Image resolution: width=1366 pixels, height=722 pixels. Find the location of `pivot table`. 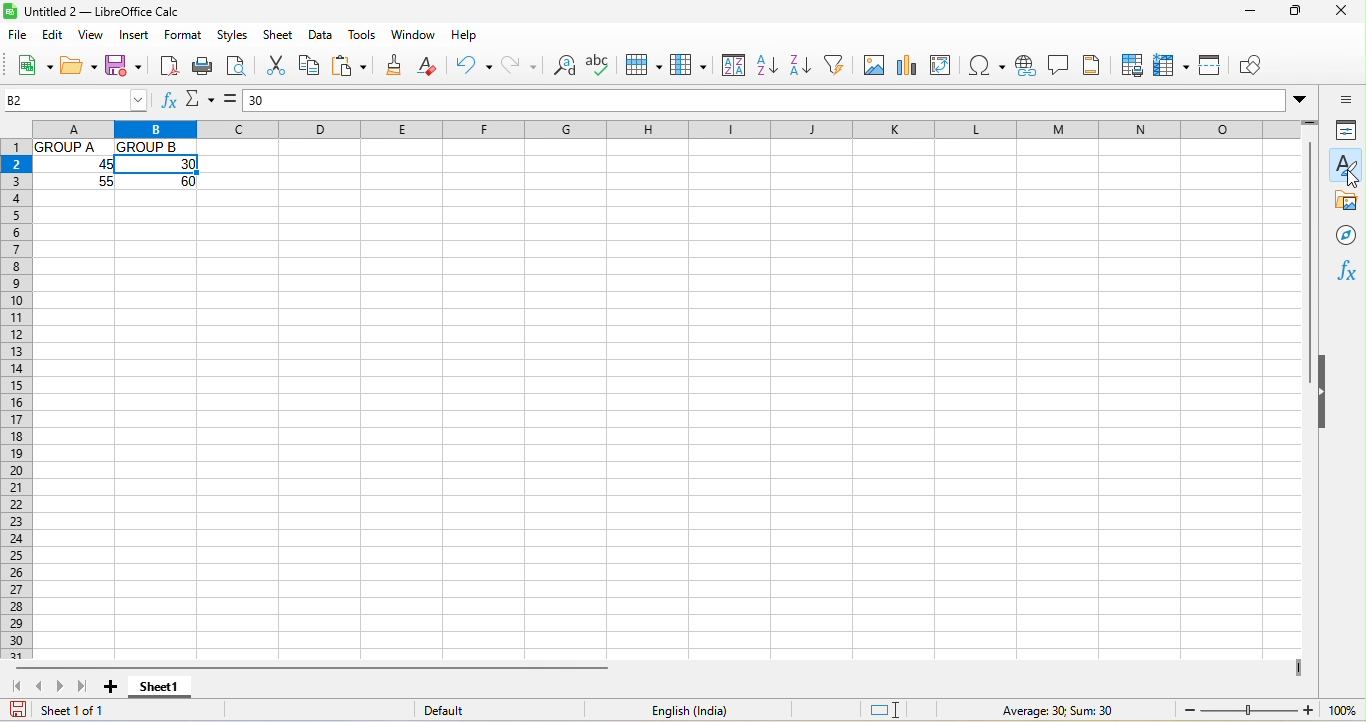

pivot table is located at coordinates (942, 65).